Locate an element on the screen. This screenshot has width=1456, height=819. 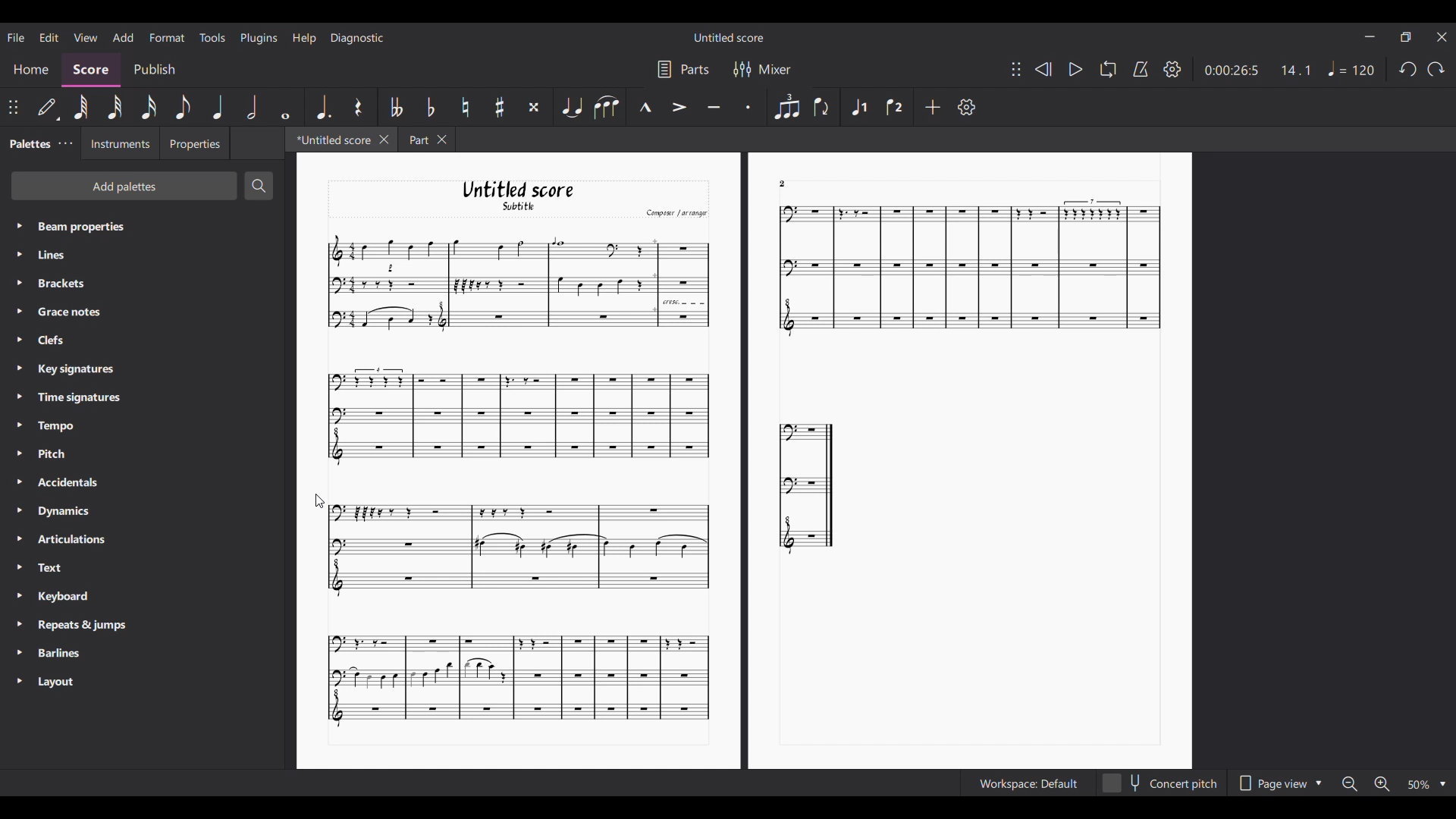
Change position is located at coordinates (14, 108).